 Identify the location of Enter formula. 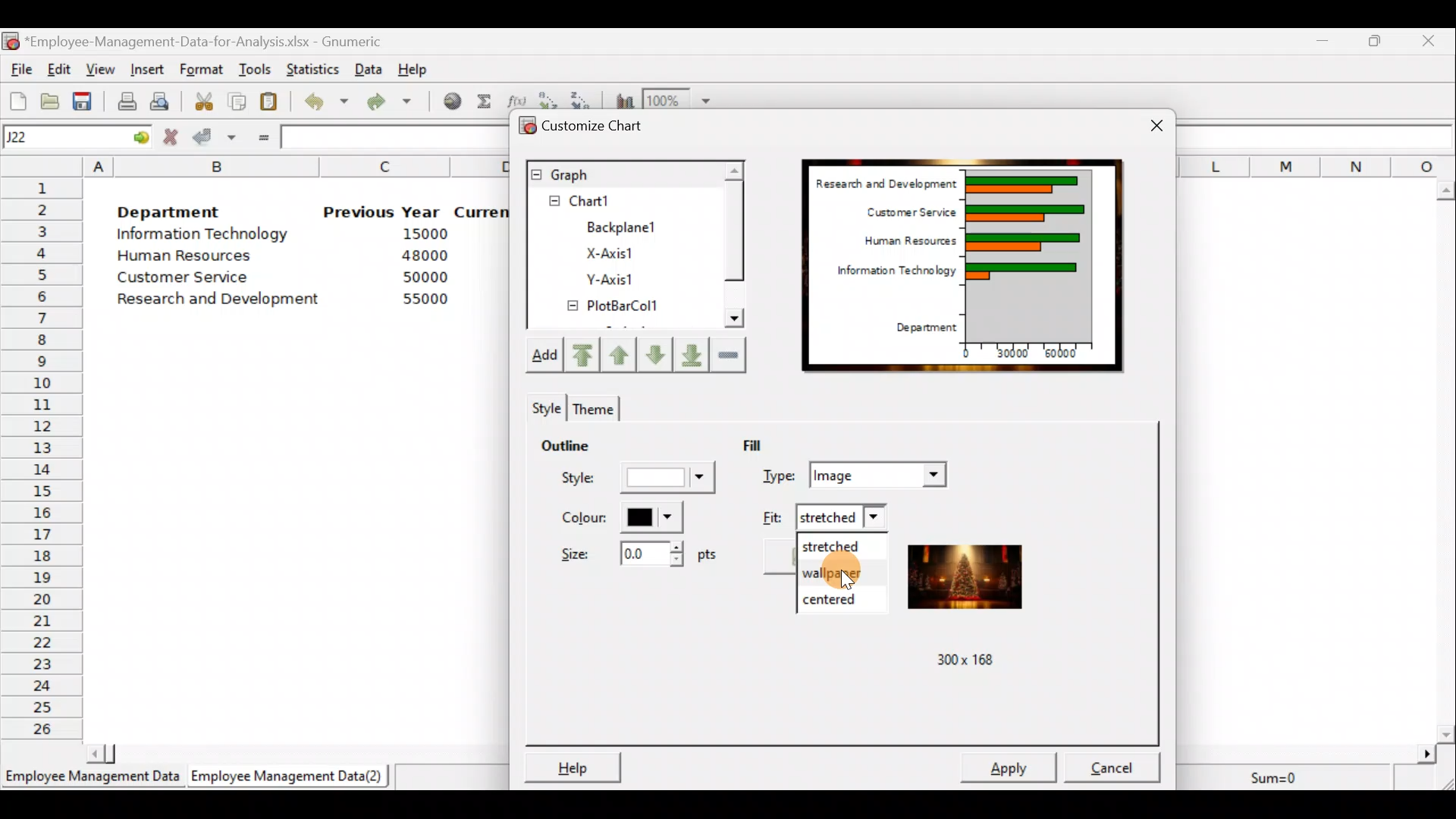
(261, 138).